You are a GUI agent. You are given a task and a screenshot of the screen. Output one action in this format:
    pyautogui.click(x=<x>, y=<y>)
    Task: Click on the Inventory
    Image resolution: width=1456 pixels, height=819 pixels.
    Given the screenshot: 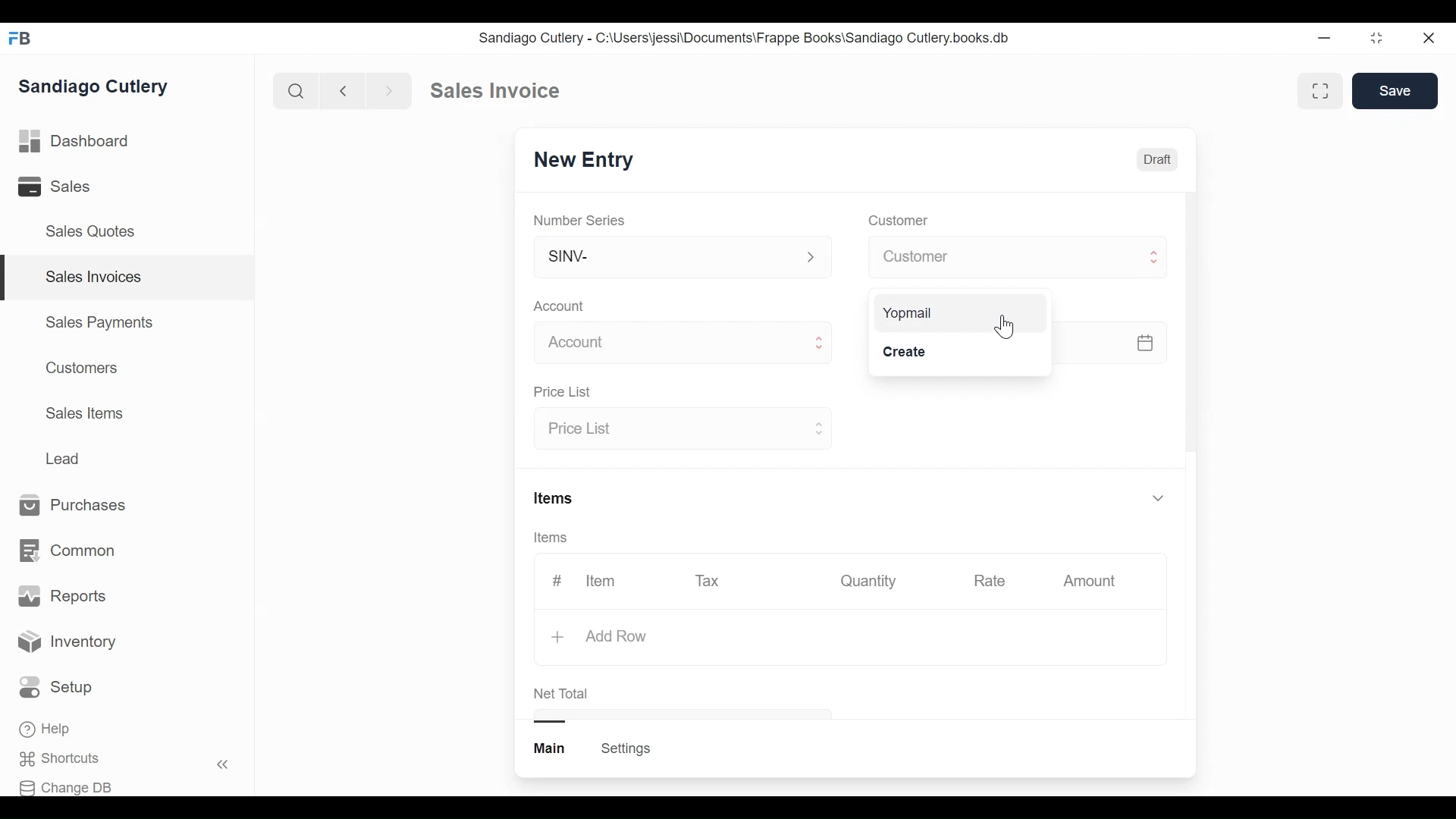 What is the action you would take?
    pyautogui.click(x=67, y=644)
    